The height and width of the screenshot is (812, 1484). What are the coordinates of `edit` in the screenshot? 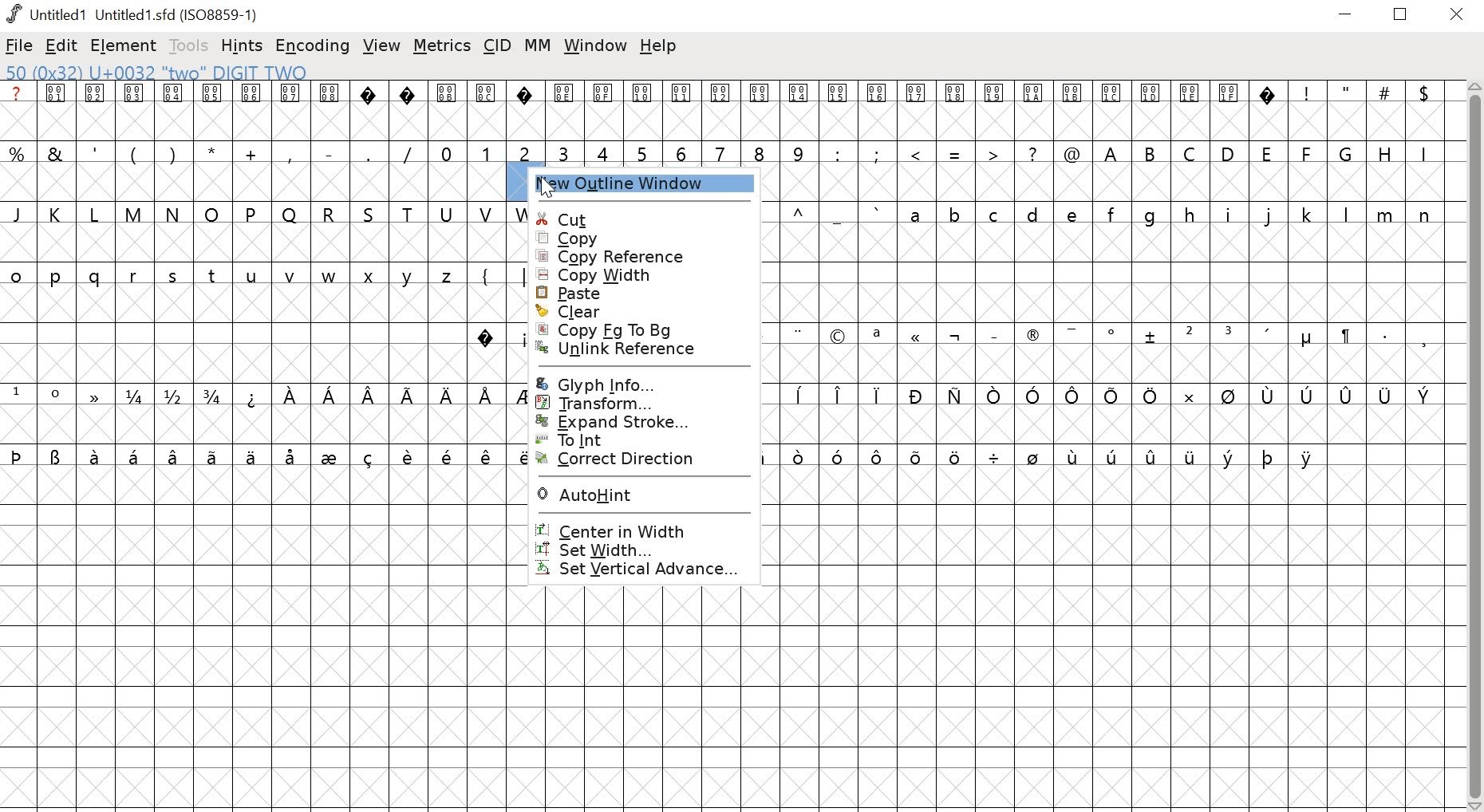 It's located at (63, 47).